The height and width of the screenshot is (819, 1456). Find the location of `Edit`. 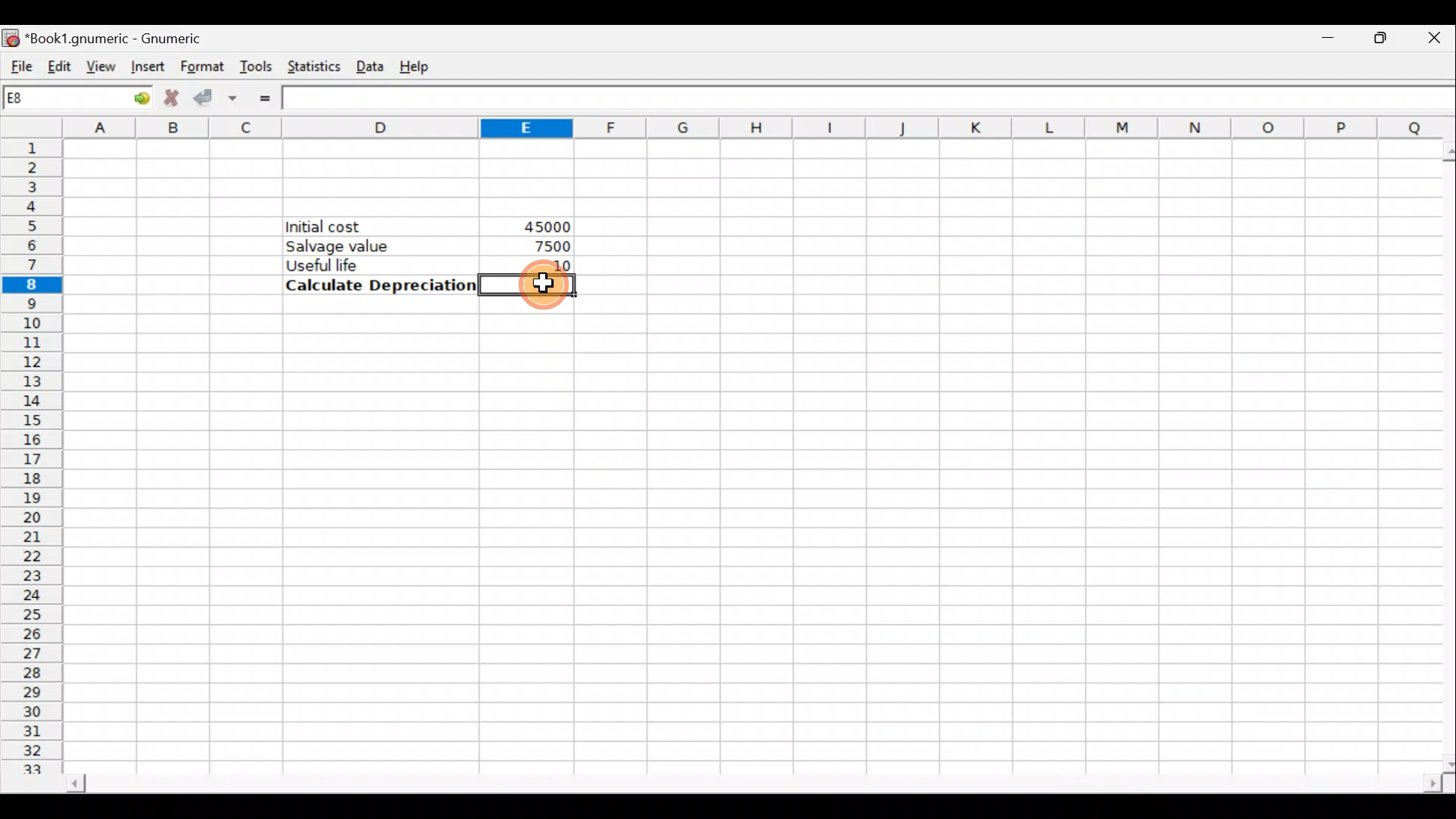

Edit is located at coordinates (59, 64).